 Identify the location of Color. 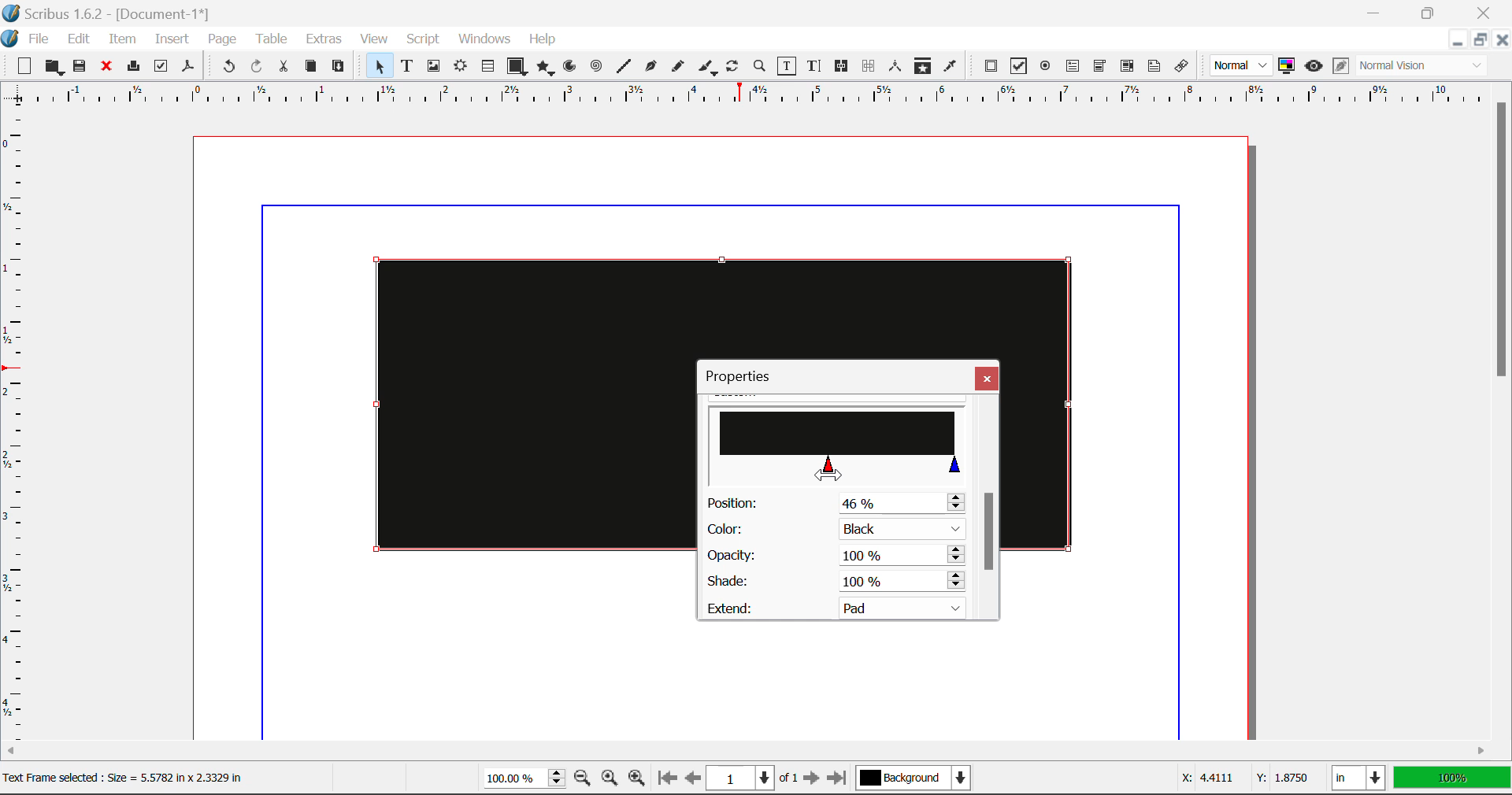
(833, 530).